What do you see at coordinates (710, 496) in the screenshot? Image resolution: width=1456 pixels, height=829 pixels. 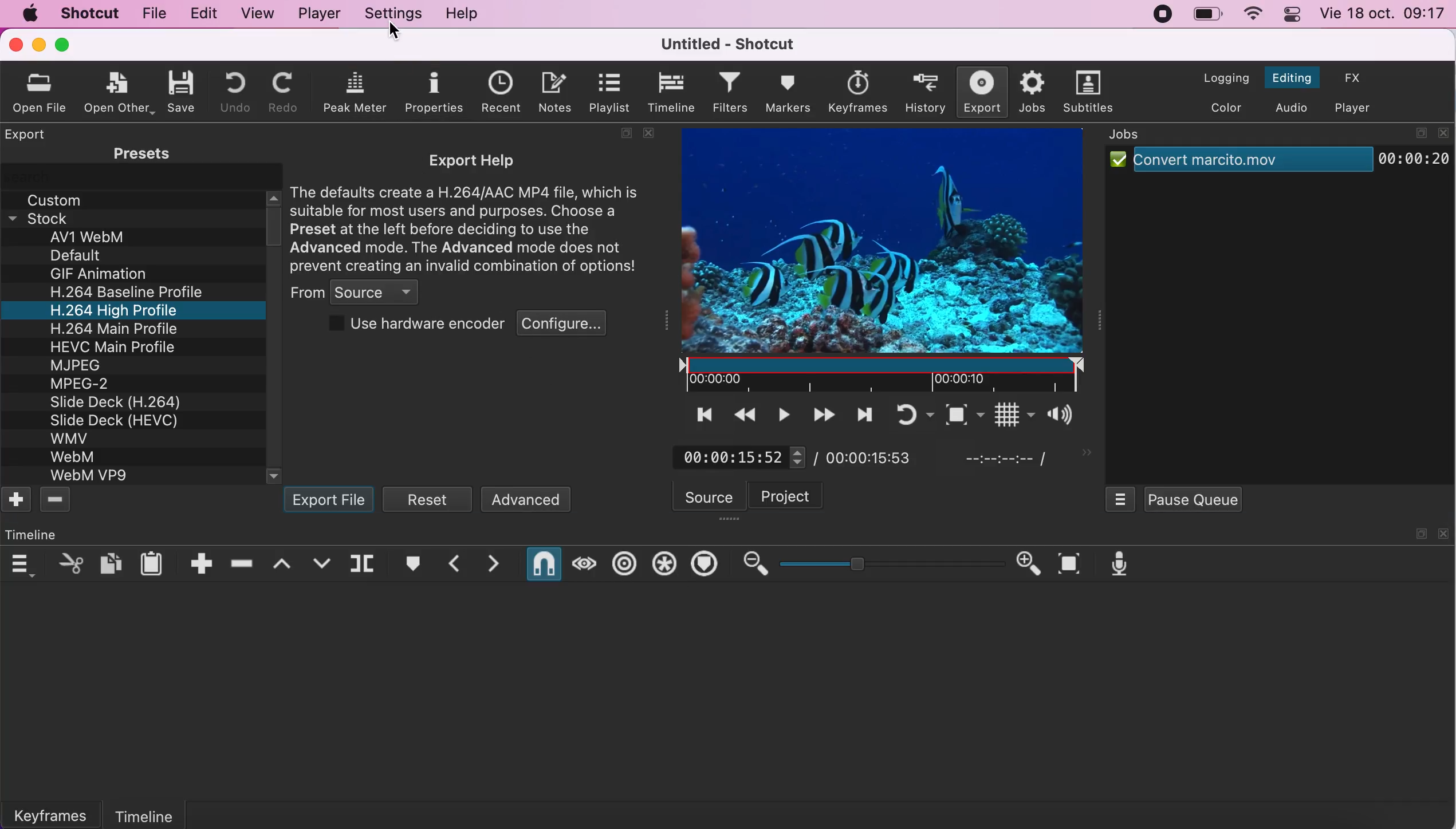 I see `source` at bounding box center [710, 496].